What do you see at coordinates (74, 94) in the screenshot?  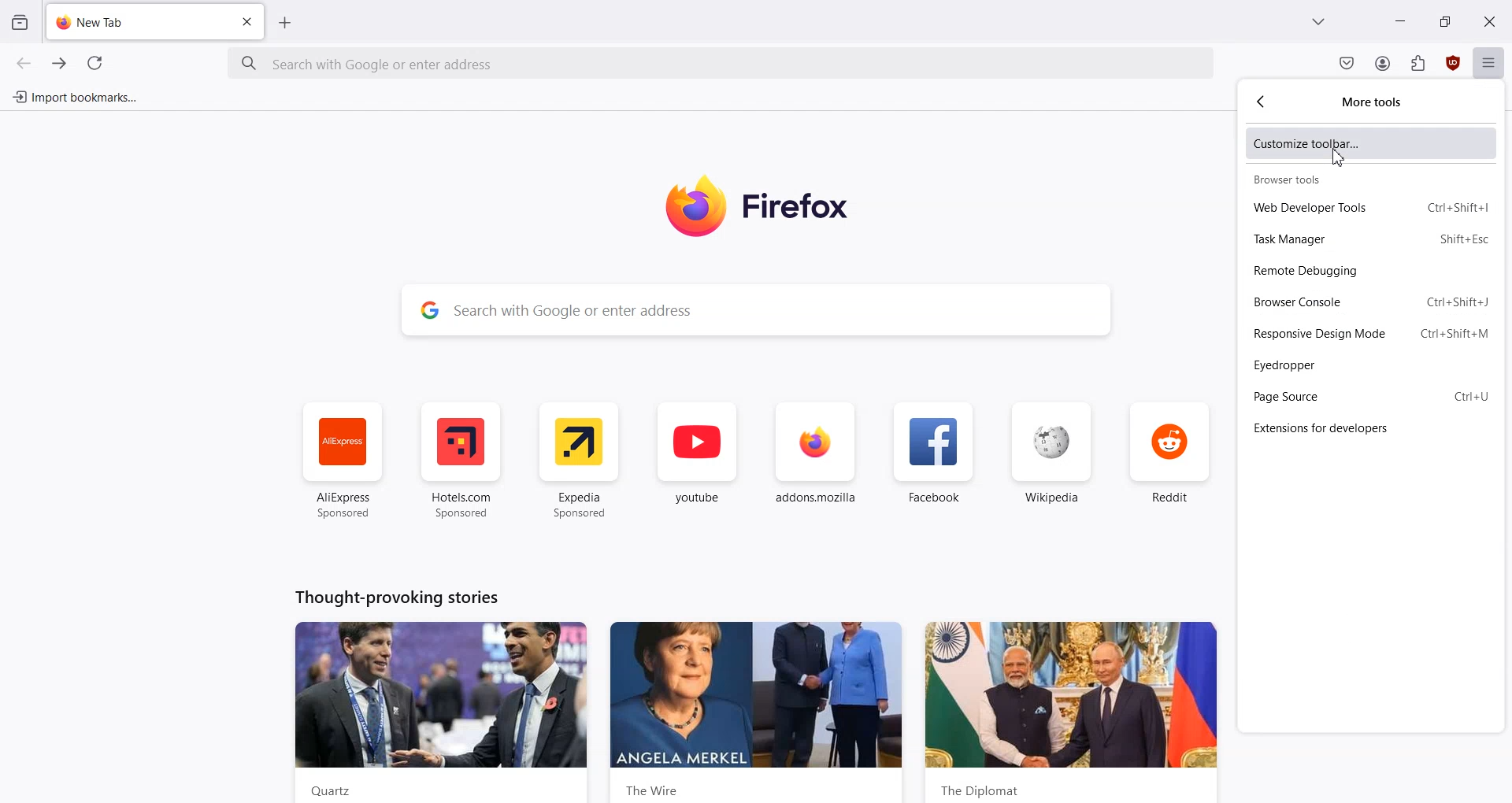 I see `Import bookmark` at bounding box center [74, 94].